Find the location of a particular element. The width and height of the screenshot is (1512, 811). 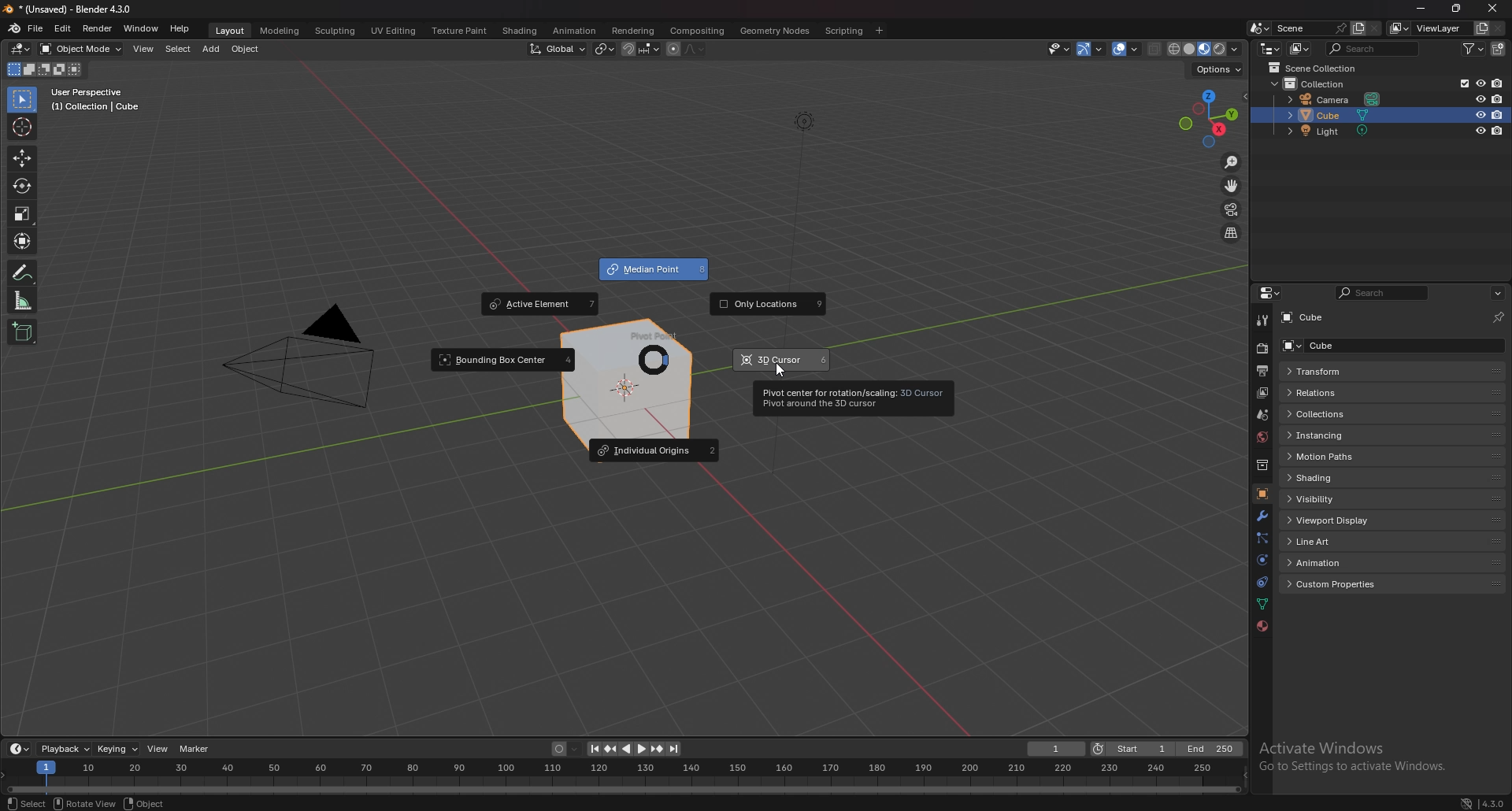

camera is located at coordinates (1332, 99).